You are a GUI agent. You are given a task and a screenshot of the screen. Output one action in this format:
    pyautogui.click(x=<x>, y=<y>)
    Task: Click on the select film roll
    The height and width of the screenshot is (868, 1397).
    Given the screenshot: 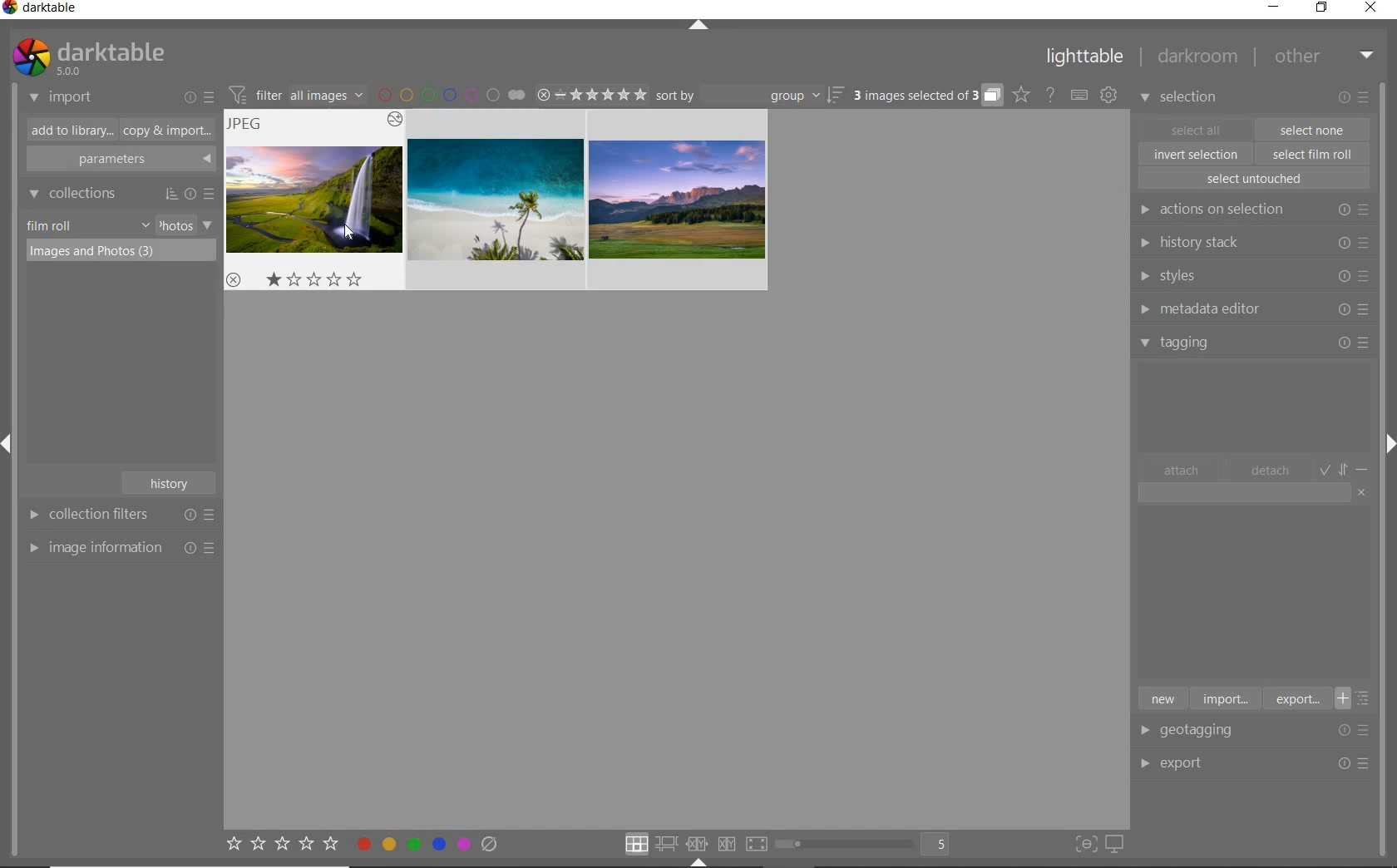 What is the action you would take?
    pyautogui.click(x=1313, y=152)
    